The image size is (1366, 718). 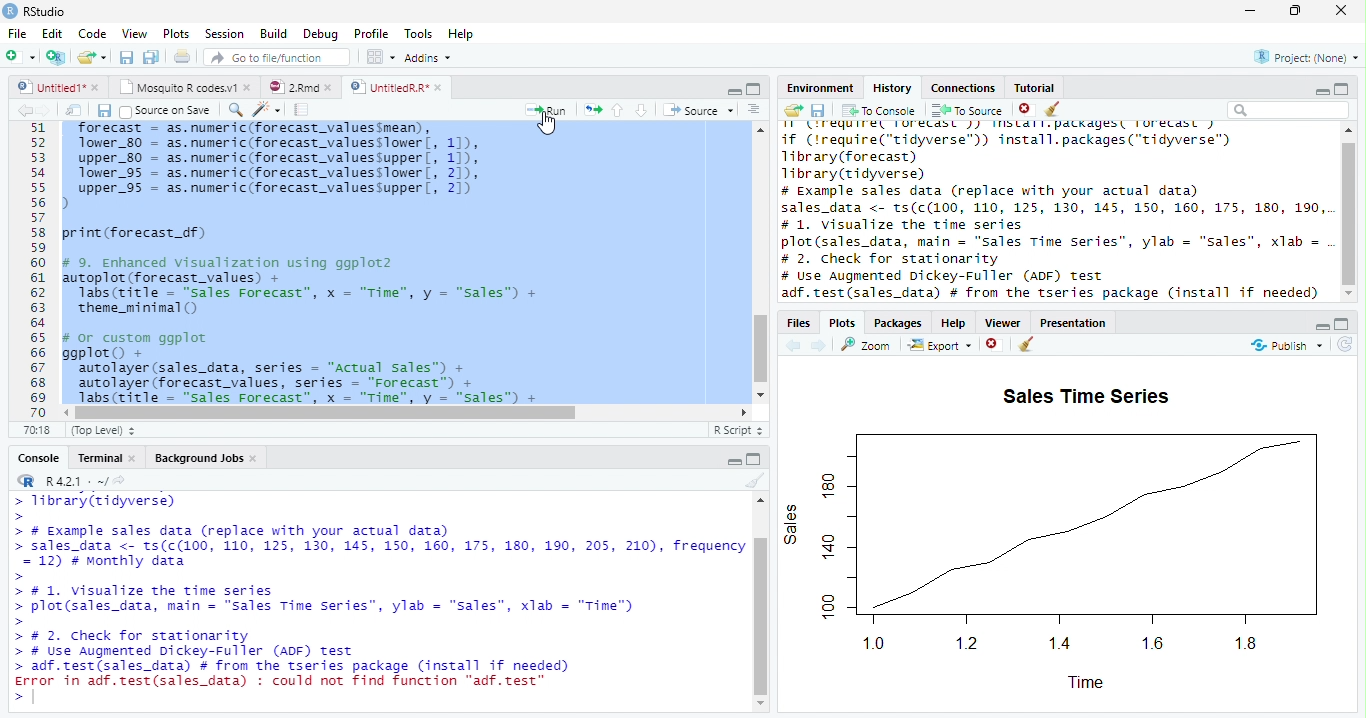 I want to click on Workplace panes, so click(x=379, y=56).